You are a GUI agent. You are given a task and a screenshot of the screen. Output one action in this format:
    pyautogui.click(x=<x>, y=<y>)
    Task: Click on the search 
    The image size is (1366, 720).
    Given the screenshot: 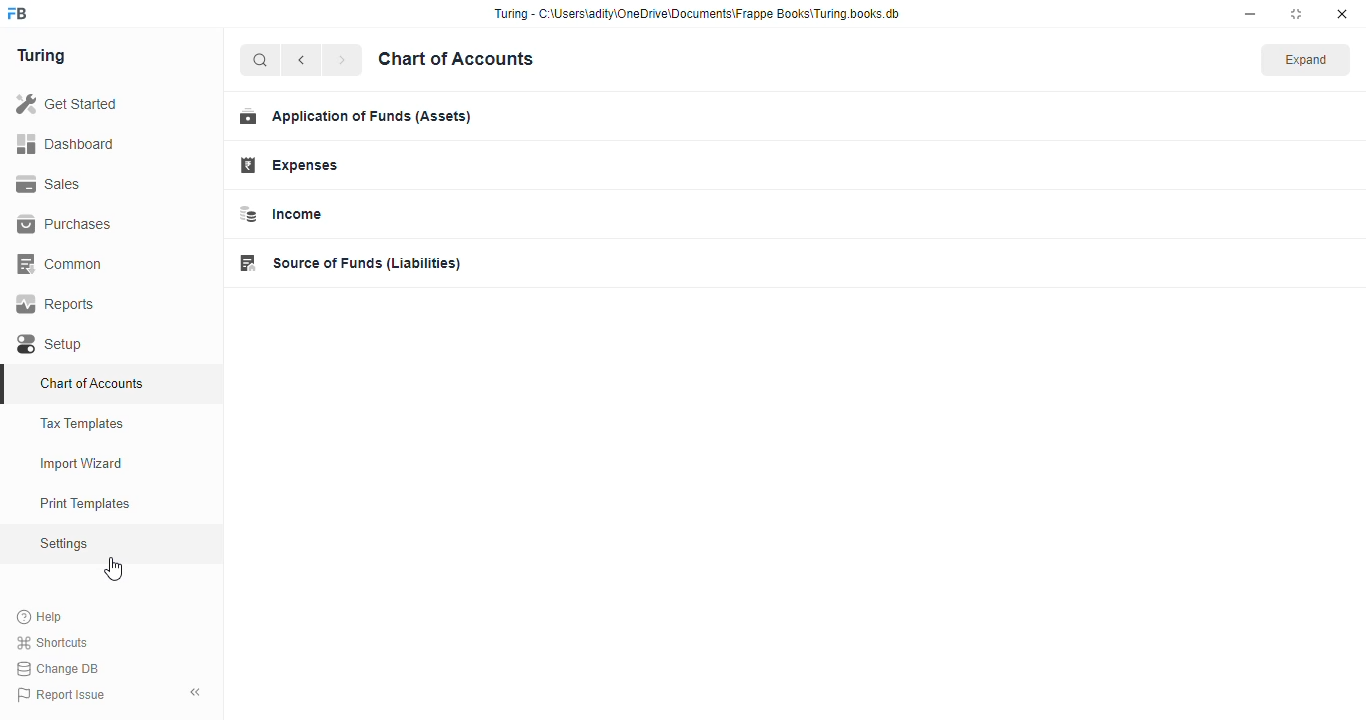 What is the action you would take?
    pyautogui.click(x=261, y=59)
    